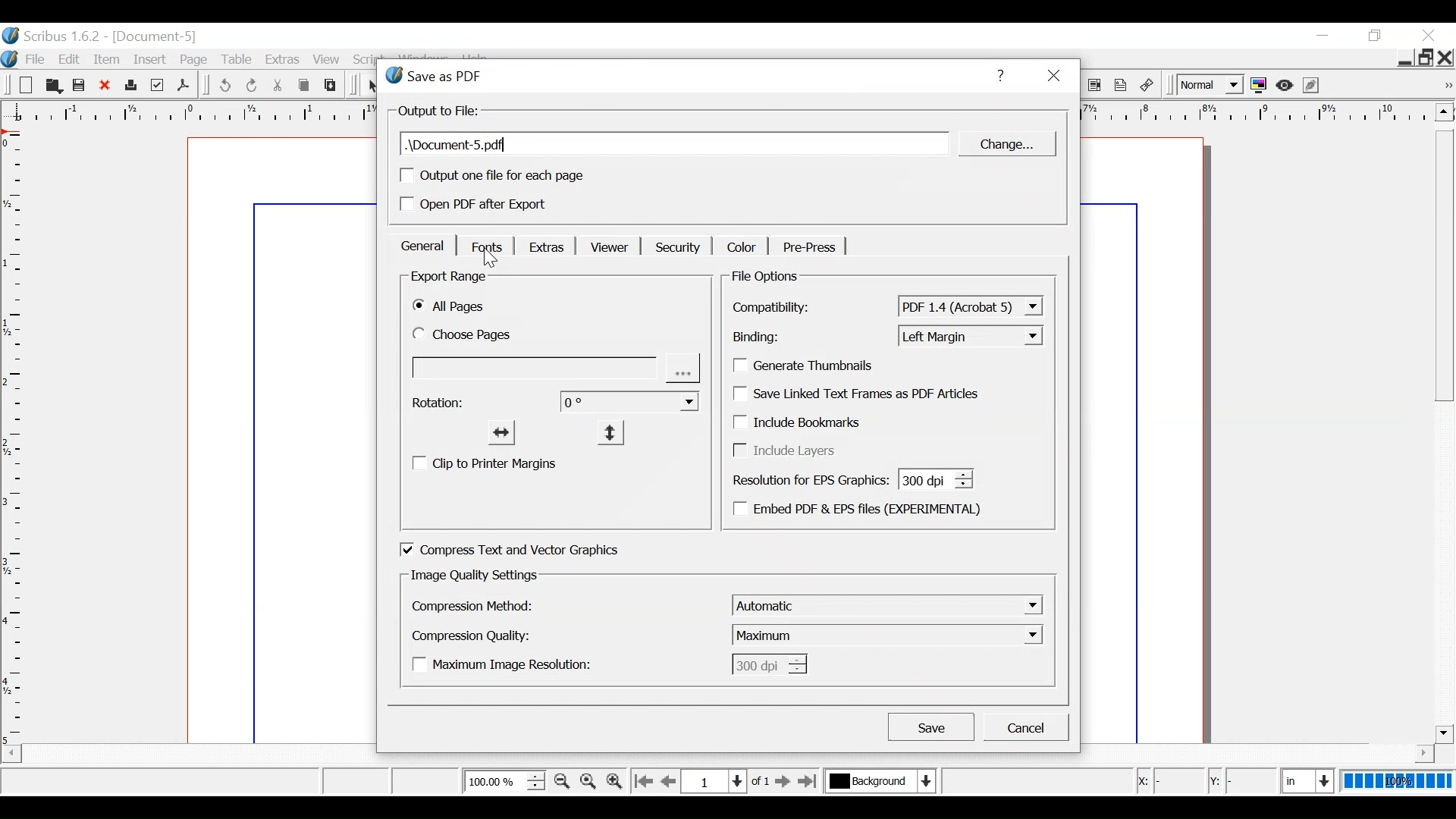  Describe the element at coordinates (440, 111) in the screenshot. I see `Output of file` at that location.